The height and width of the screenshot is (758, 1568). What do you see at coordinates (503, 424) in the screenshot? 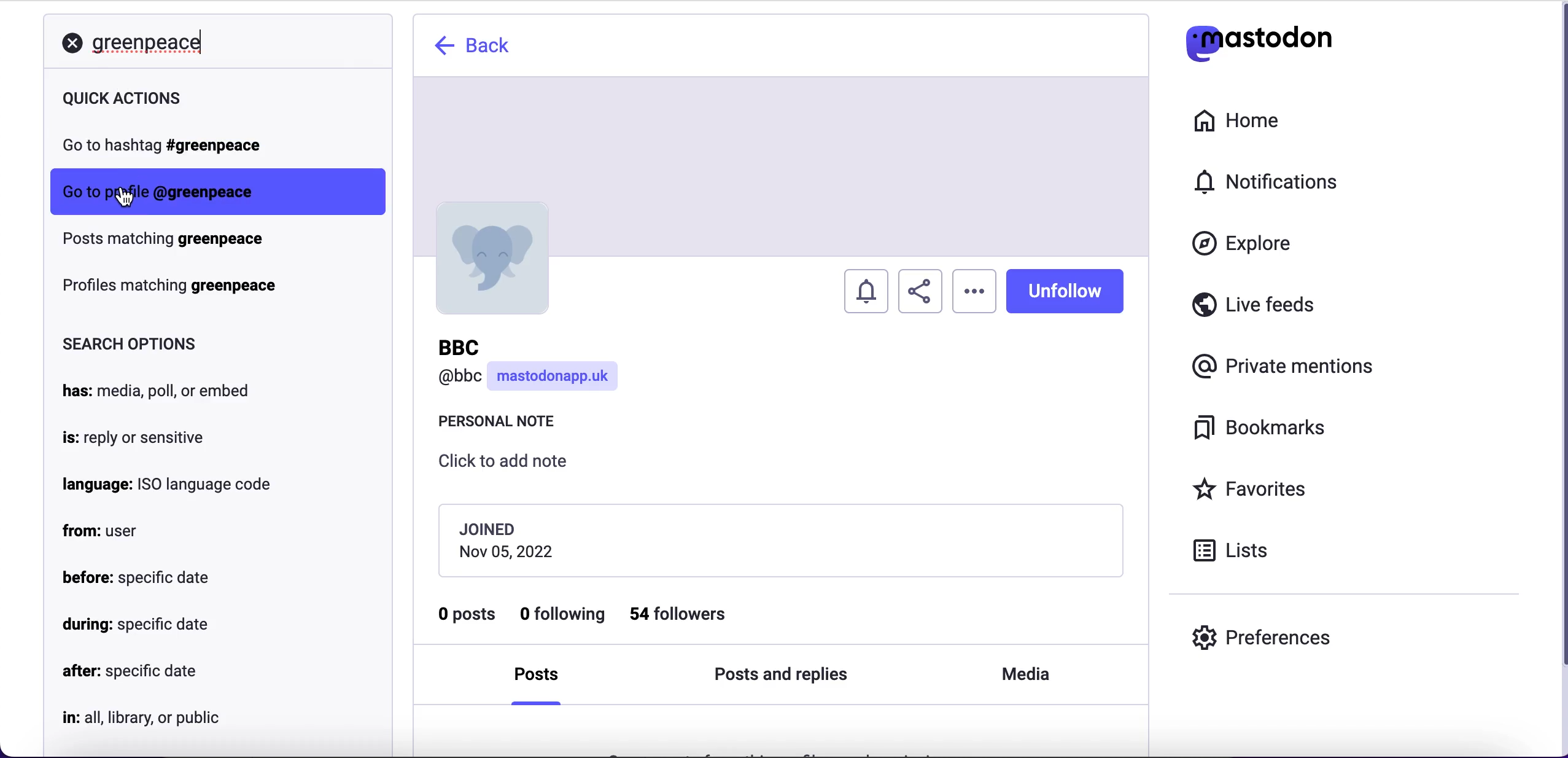
I see `personal note` at bounding box center [503, 424].